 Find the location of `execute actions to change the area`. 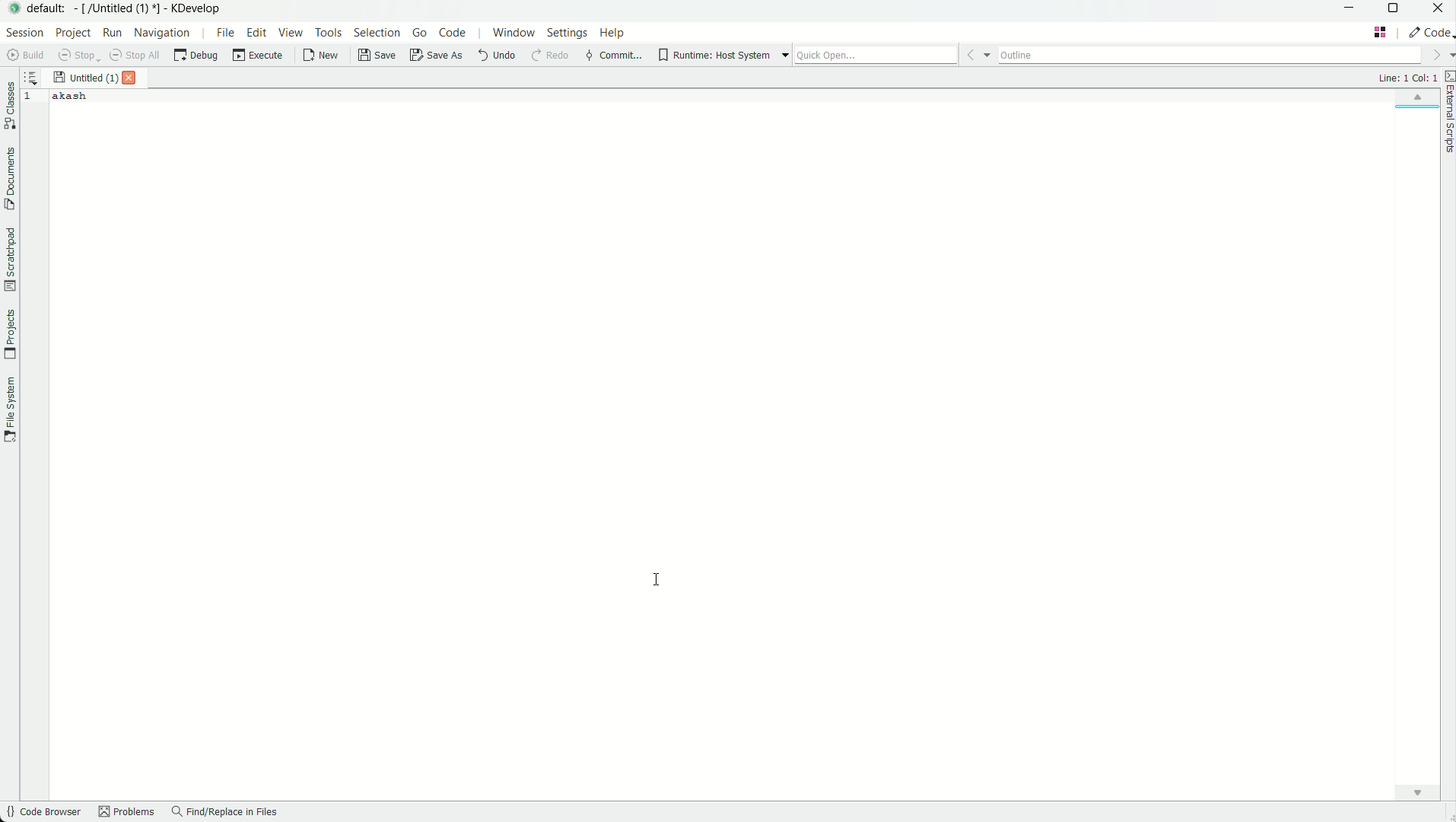

execute actions to change the area is located at coordinates (1429, 32).